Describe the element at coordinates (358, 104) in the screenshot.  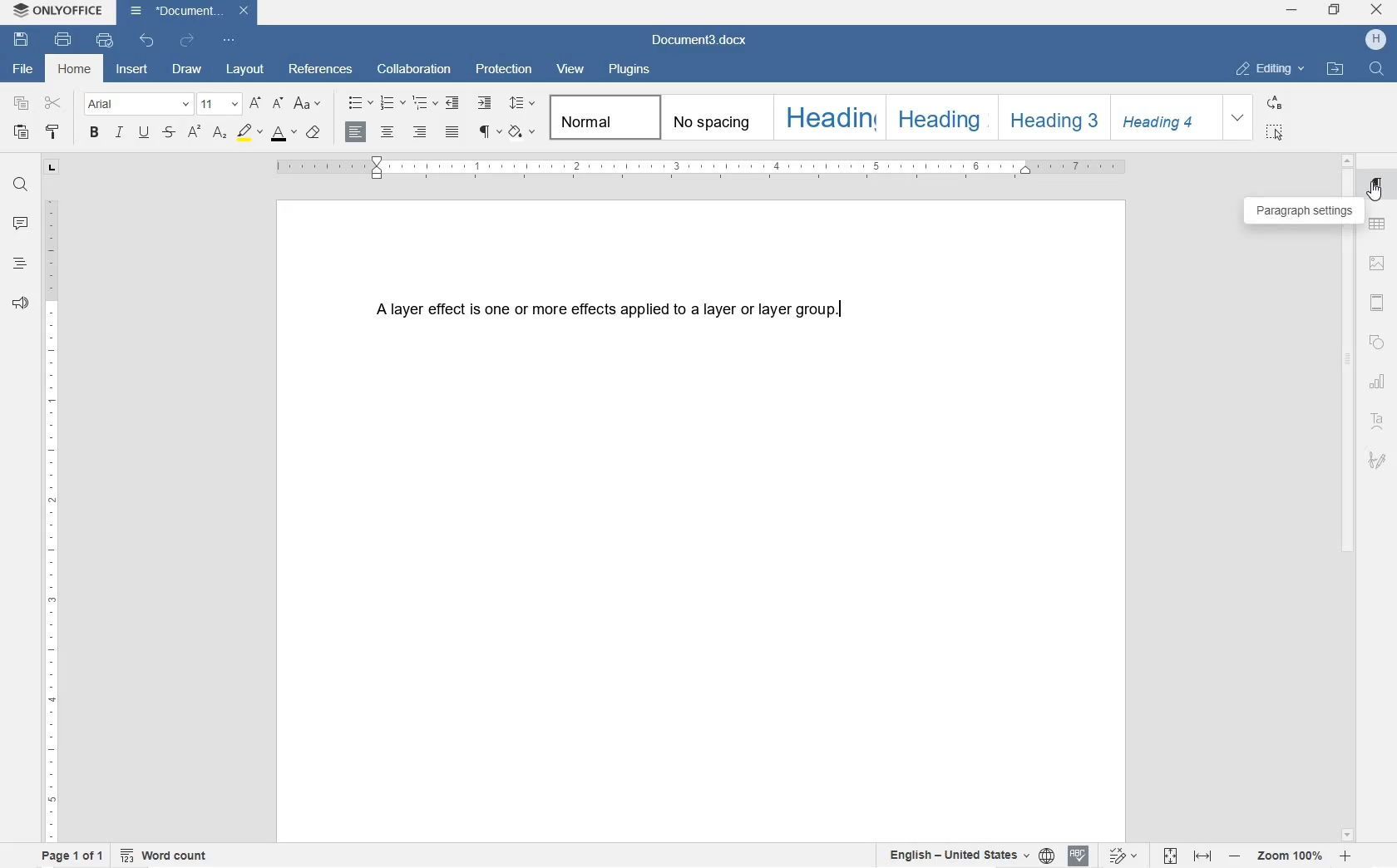
I see `BULLET` at that location.